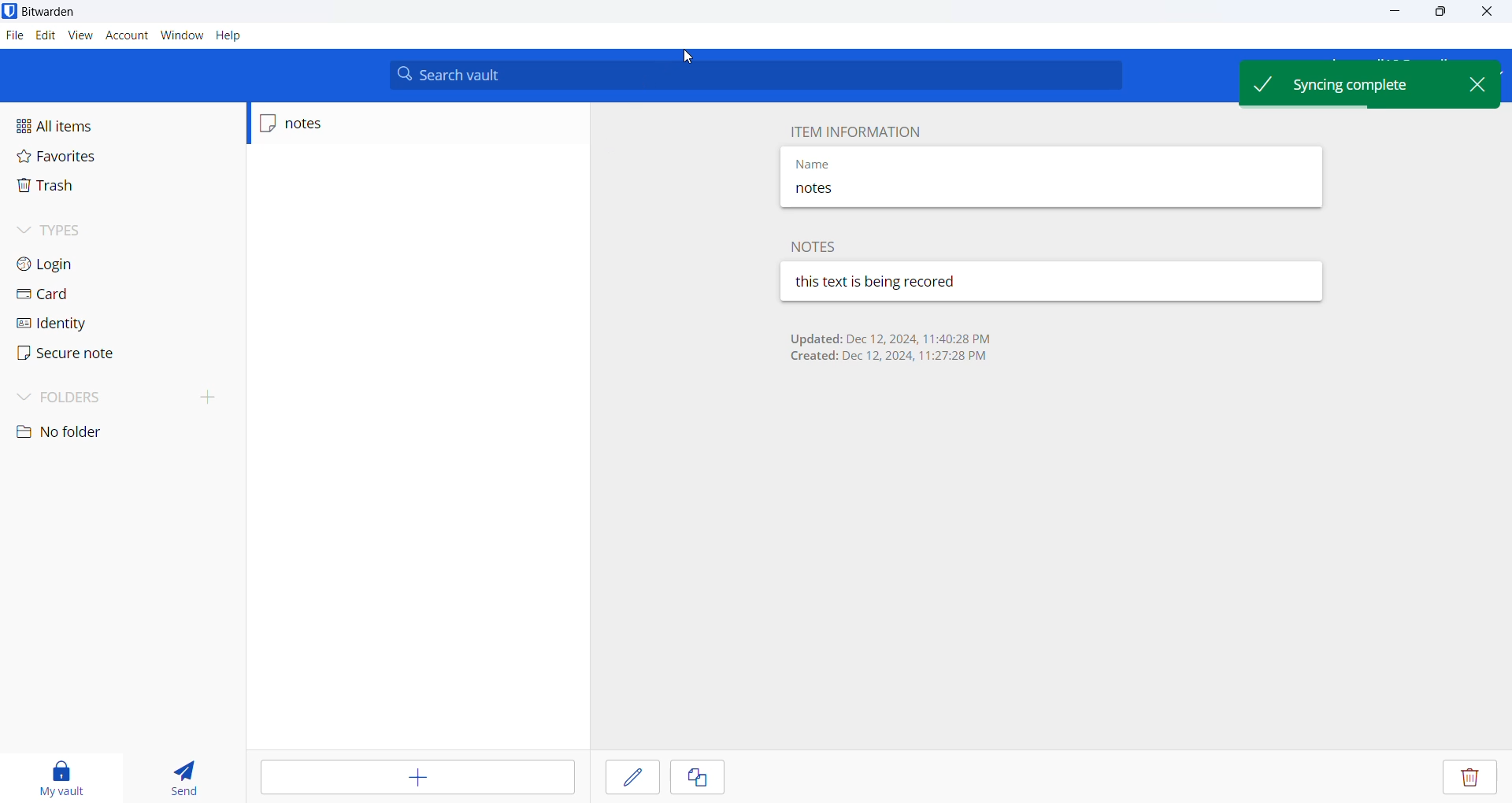 This screenshot has width=1512, height=803. Describe the element at coordinates (818, 246) in the screenshot. I see `notes` at that location.